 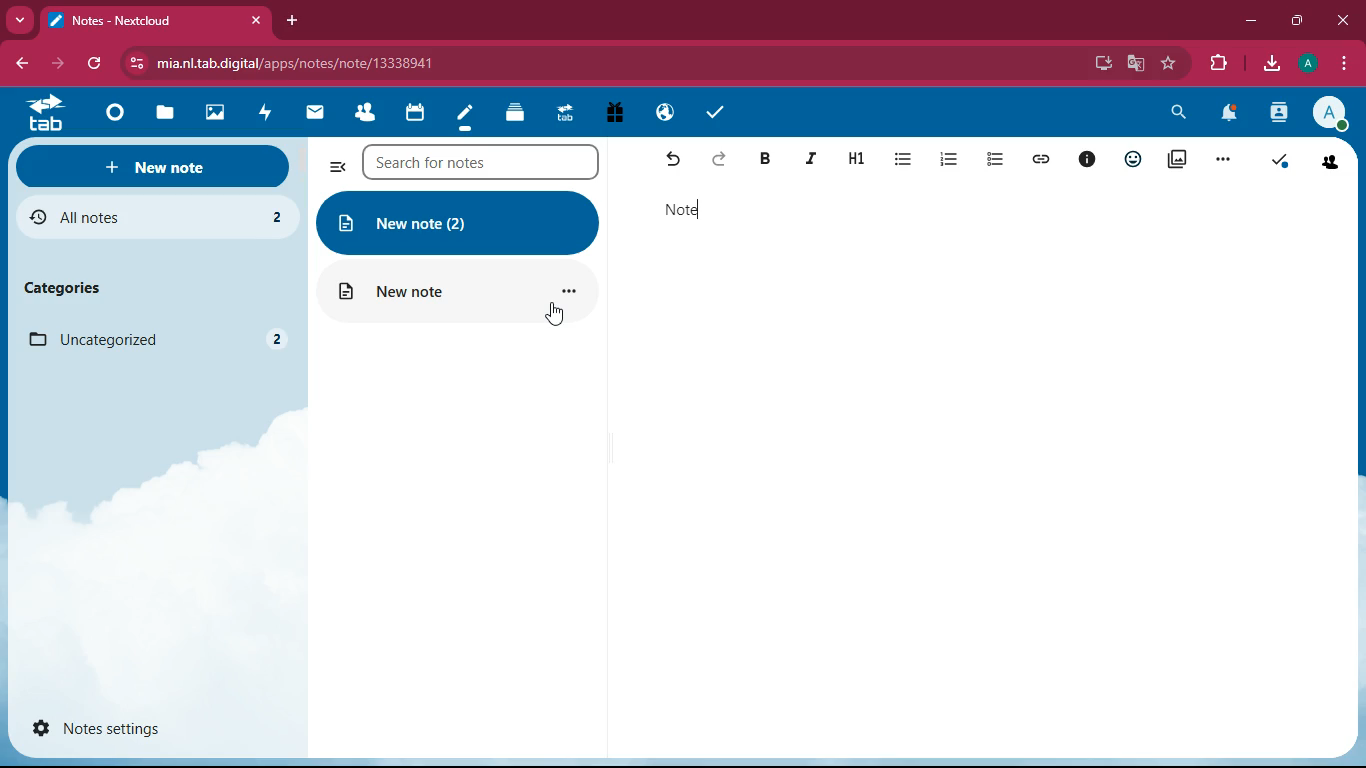 I want to click on forward, so click(x=59, y=63).